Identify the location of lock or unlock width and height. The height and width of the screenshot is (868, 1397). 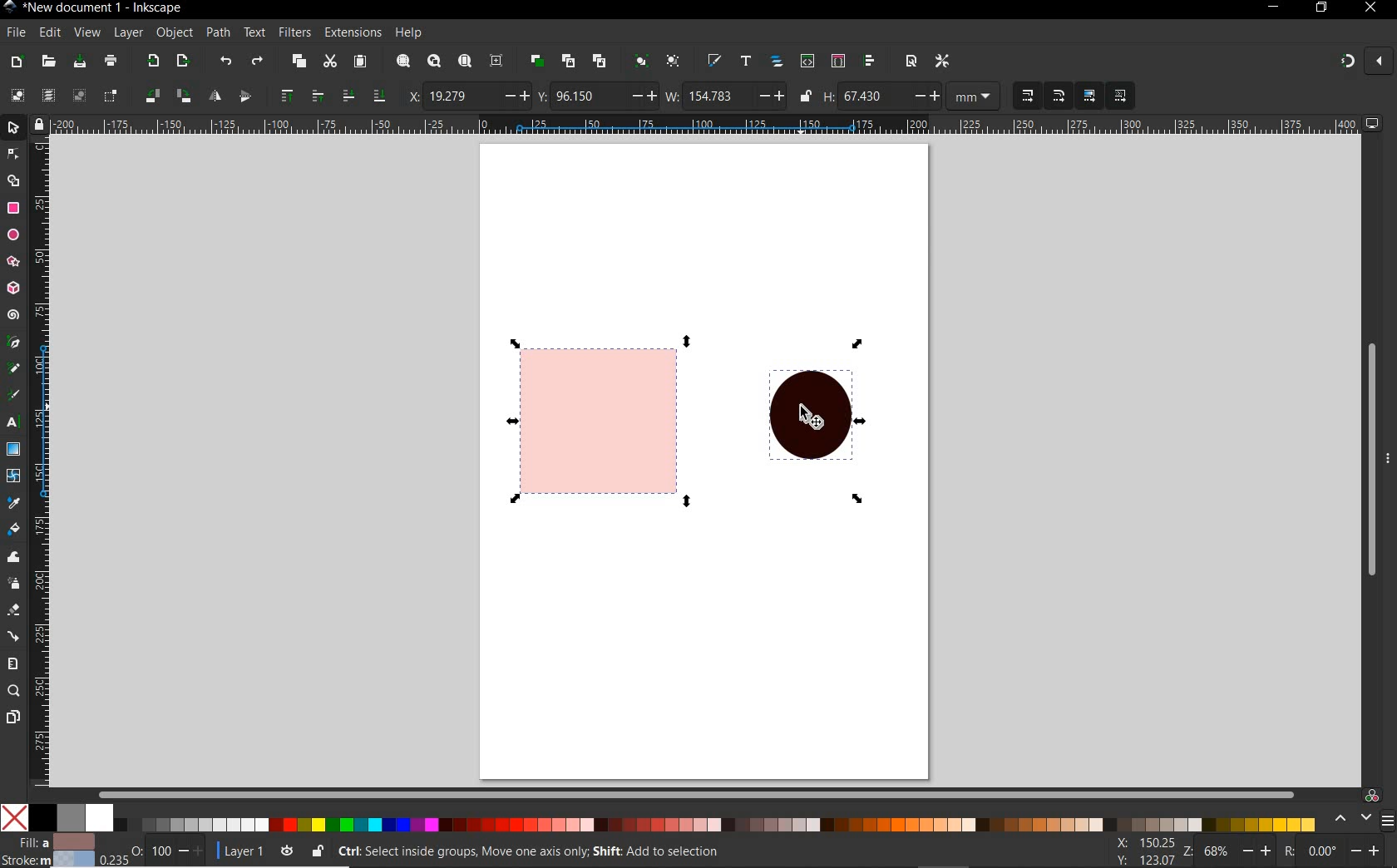
(807, 95).